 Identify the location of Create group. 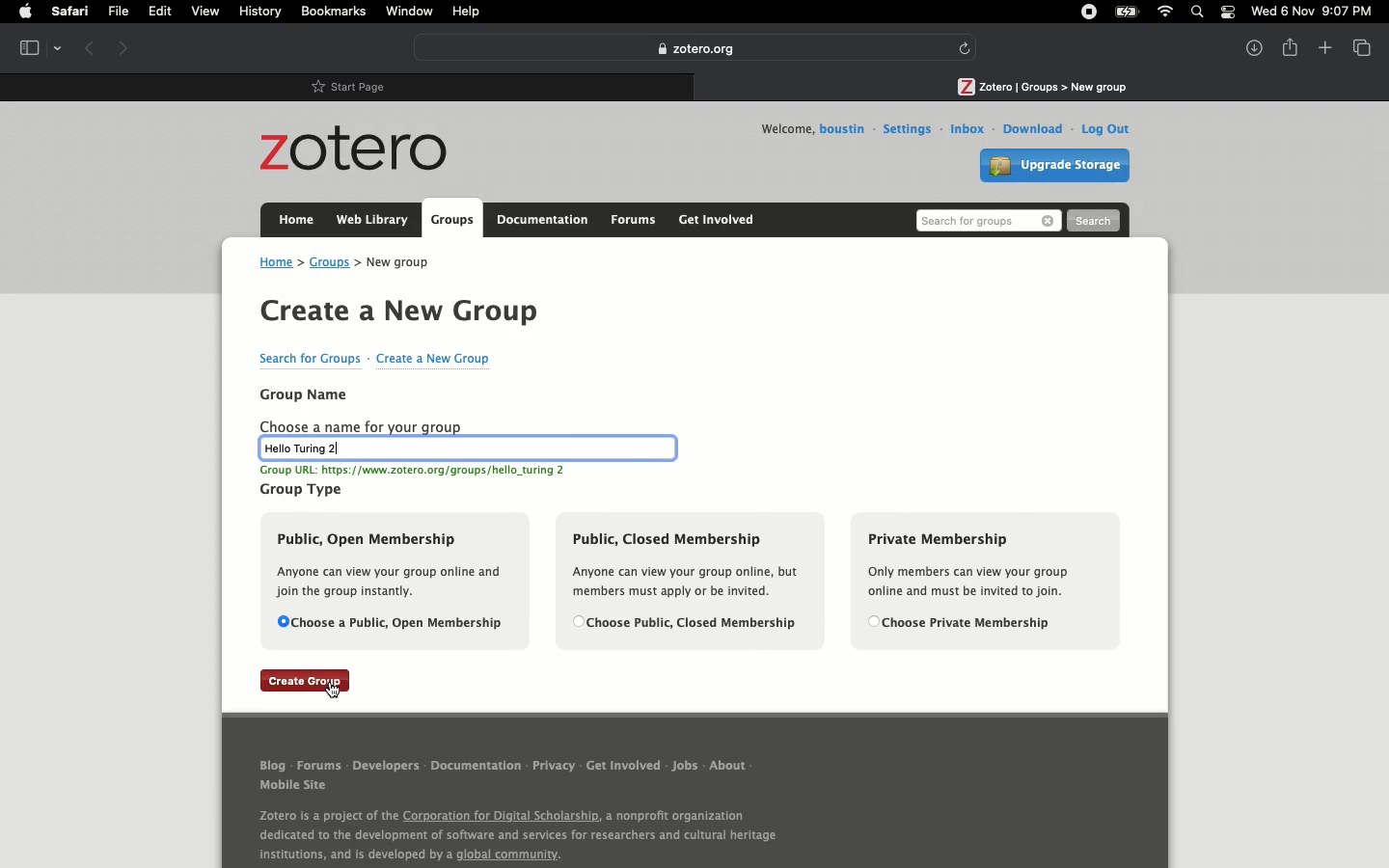
(307, 681).